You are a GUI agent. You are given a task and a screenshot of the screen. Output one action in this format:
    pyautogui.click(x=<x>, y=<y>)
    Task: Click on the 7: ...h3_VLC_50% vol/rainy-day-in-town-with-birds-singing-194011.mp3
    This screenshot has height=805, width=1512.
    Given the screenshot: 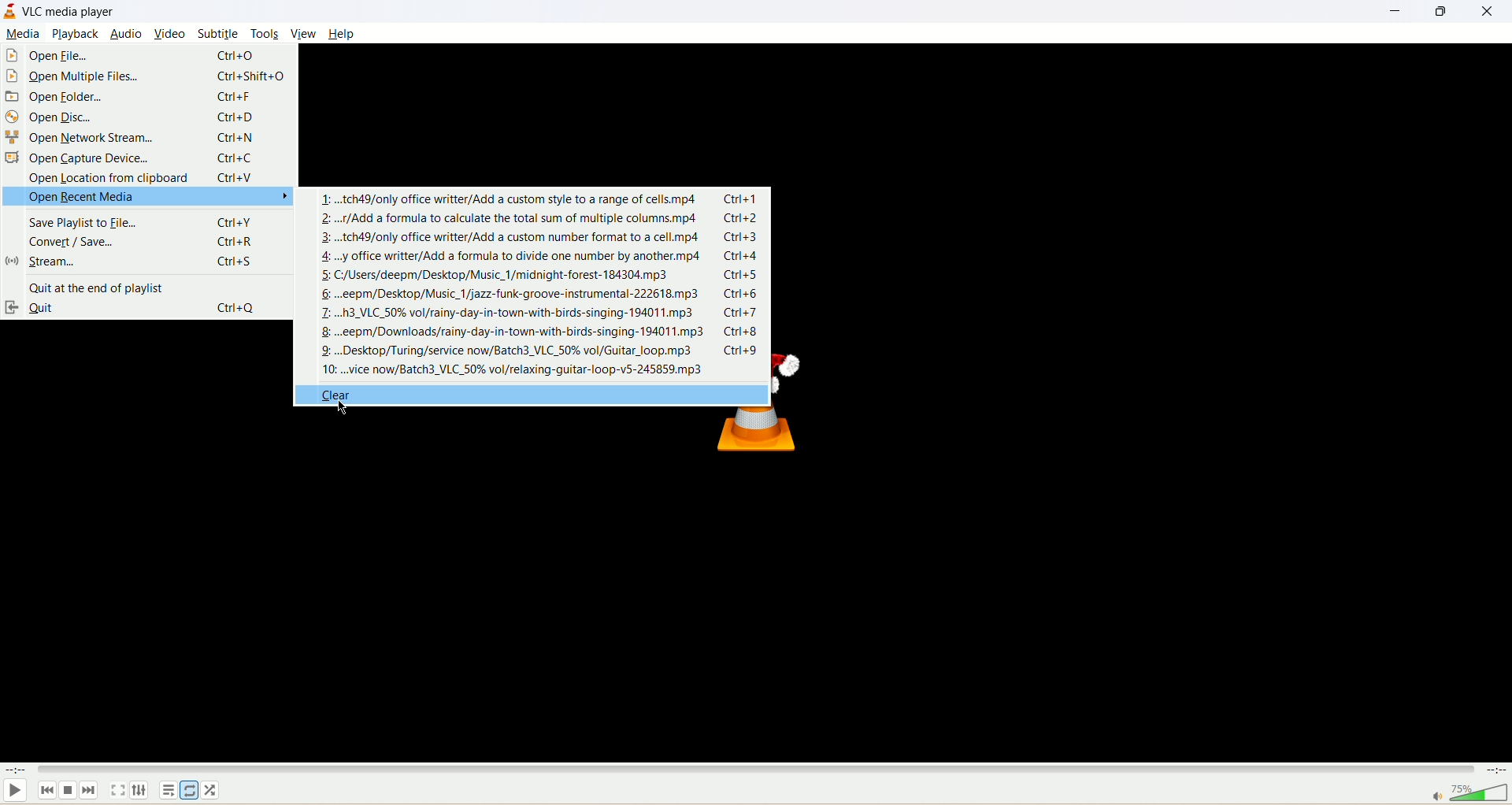 What is the action you would take?
    pyautogui.click(x=512, y=312)
    